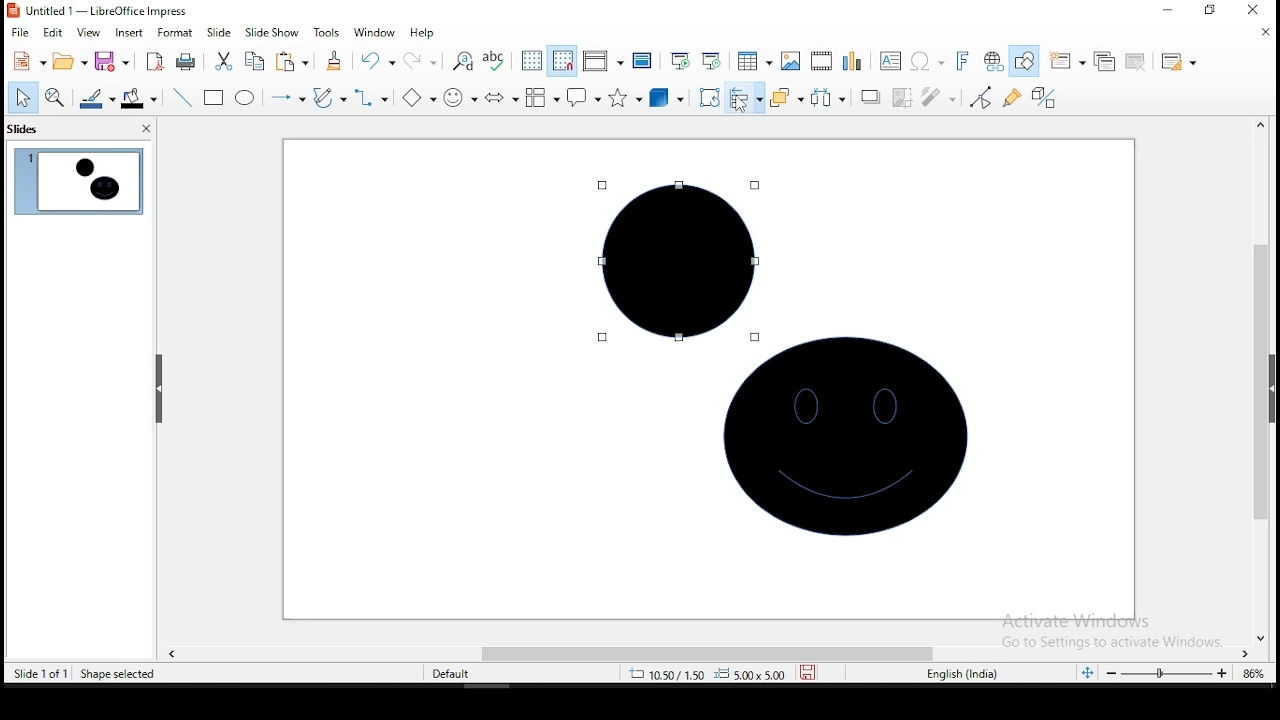 The image size is (1280, 720). What do you see at coordinates (740, 104) in the screenshot?
I see `mouse pointer` at bounding box center [740, 104].